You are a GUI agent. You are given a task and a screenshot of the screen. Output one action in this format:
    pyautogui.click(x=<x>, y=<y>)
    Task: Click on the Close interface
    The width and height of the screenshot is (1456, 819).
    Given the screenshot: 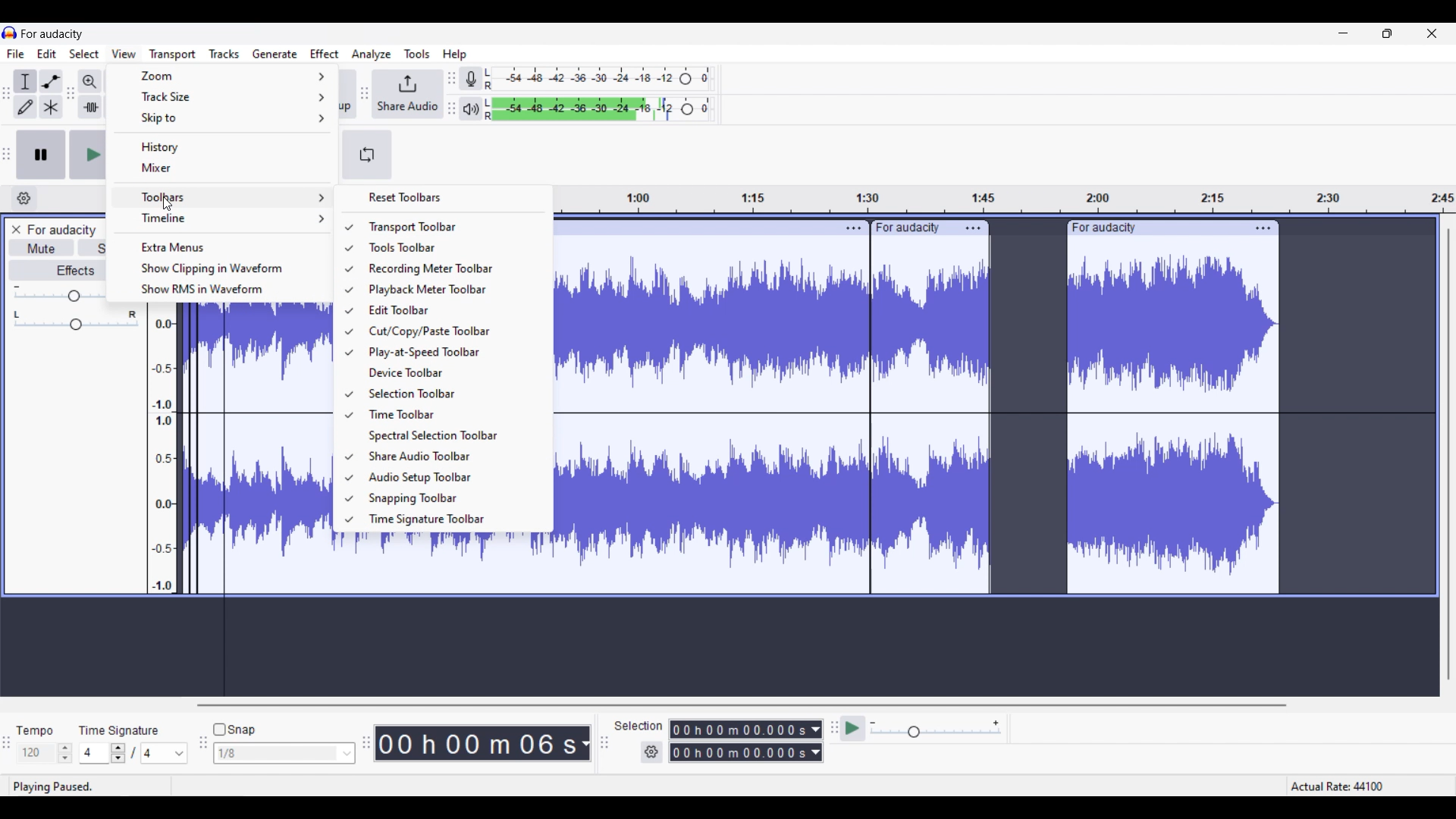 What is the action you would take?
    pyautogui.click(x=1432, y=33)
    